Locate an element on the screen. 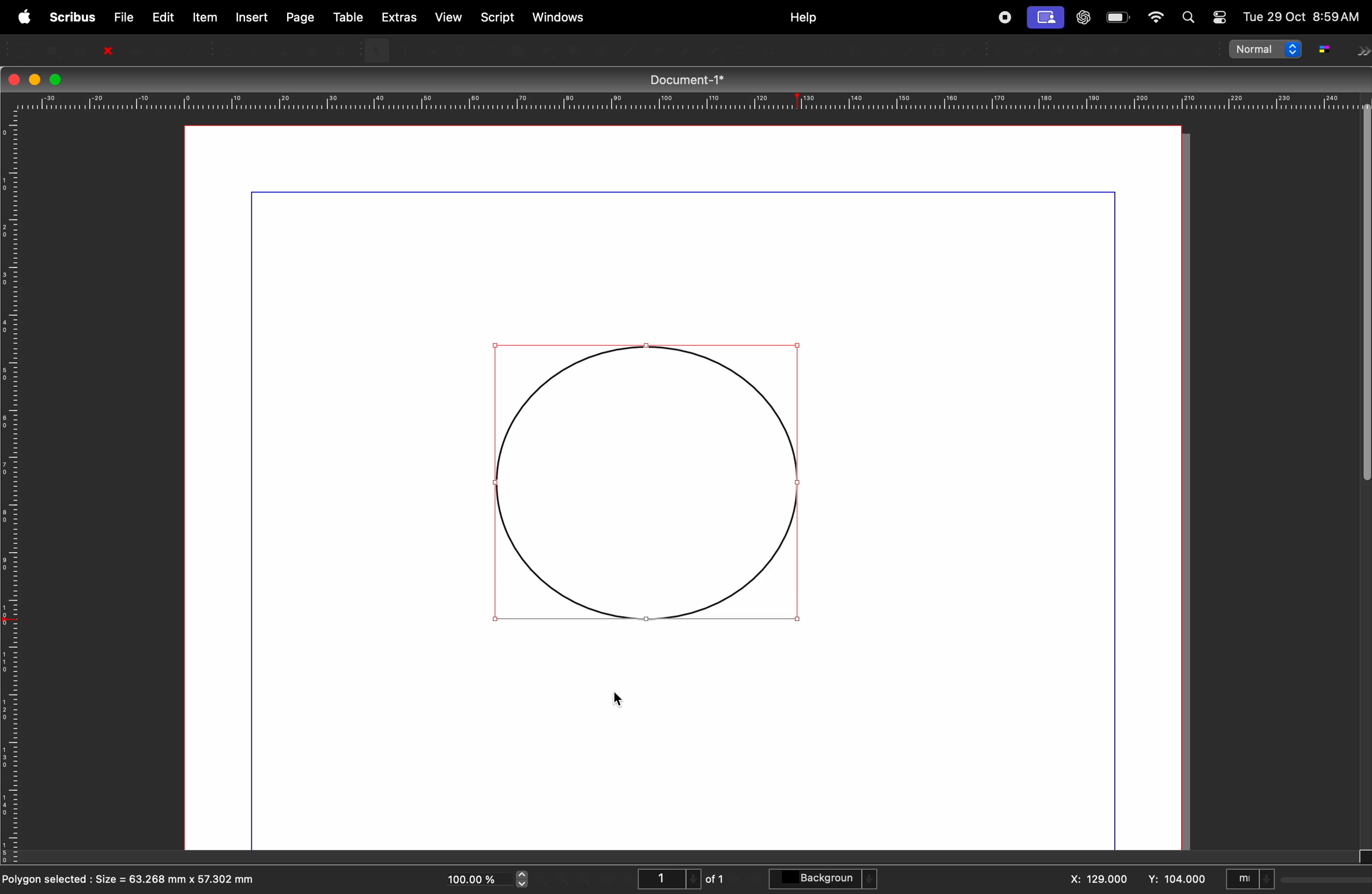 Image resolution: width=1372 pixels, height=894 pixels. PDF push button is located at coordinates (1007, 51).